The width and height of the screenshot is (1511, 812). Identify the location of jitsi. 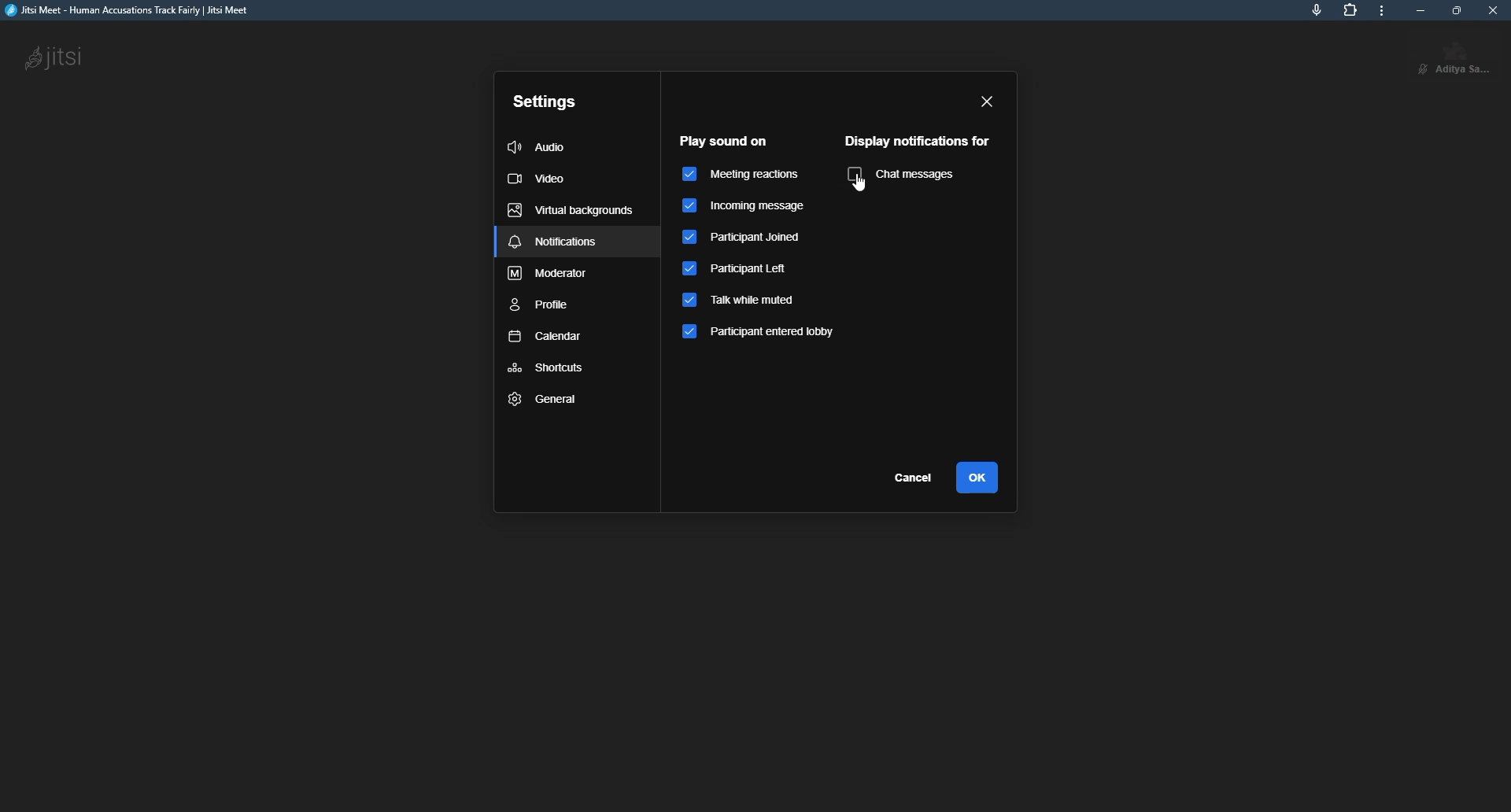
(57, 58).